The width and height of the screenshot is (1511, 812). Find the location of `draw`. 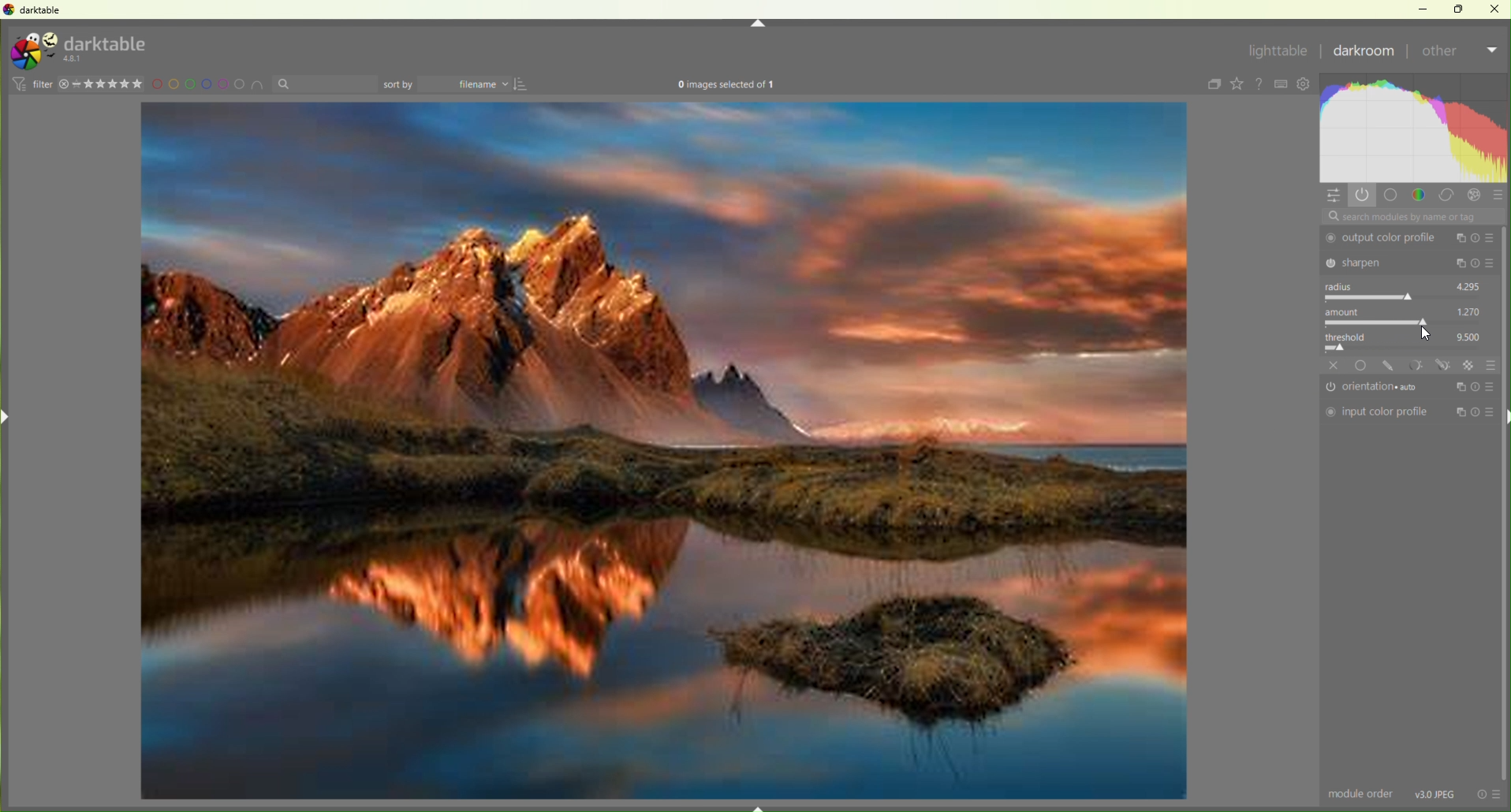

draw is located at coordinates (1390, 366).